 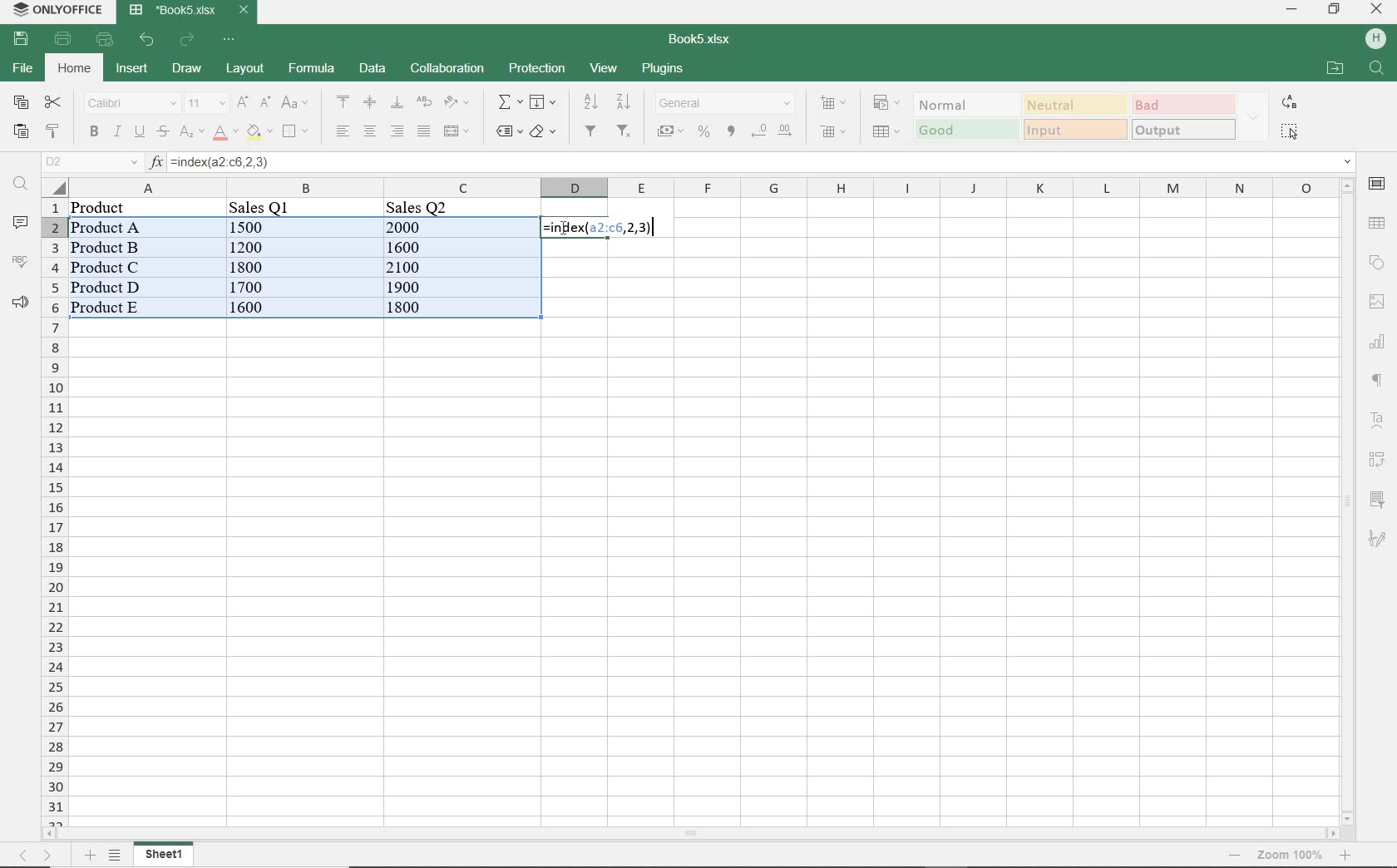 I want to click on signature, so click(x=1377, y=540).